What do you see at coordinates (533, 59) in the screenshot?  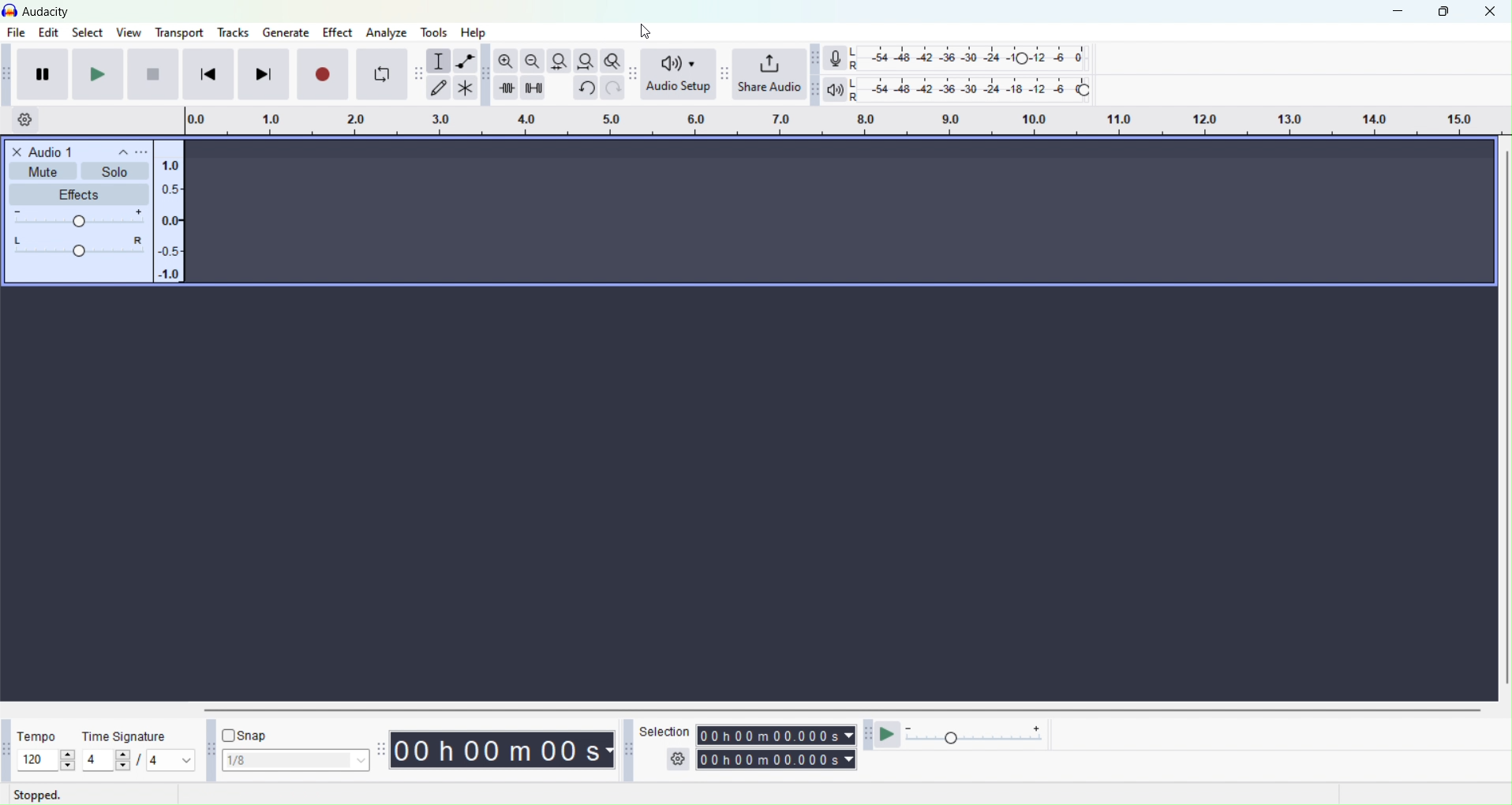 I see `Zoom out` at bounding box center [533, 59].